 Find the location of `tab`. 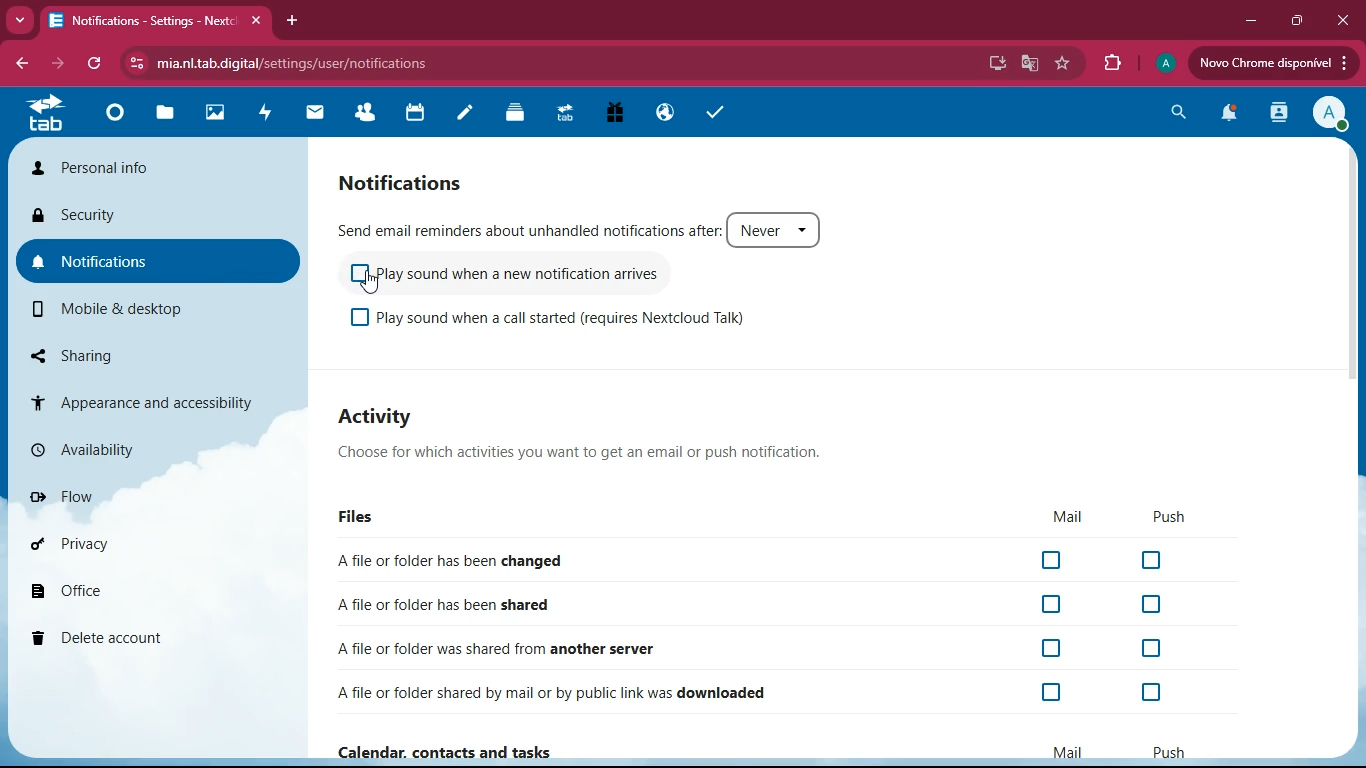

tab is located at coordinates (569, 114).